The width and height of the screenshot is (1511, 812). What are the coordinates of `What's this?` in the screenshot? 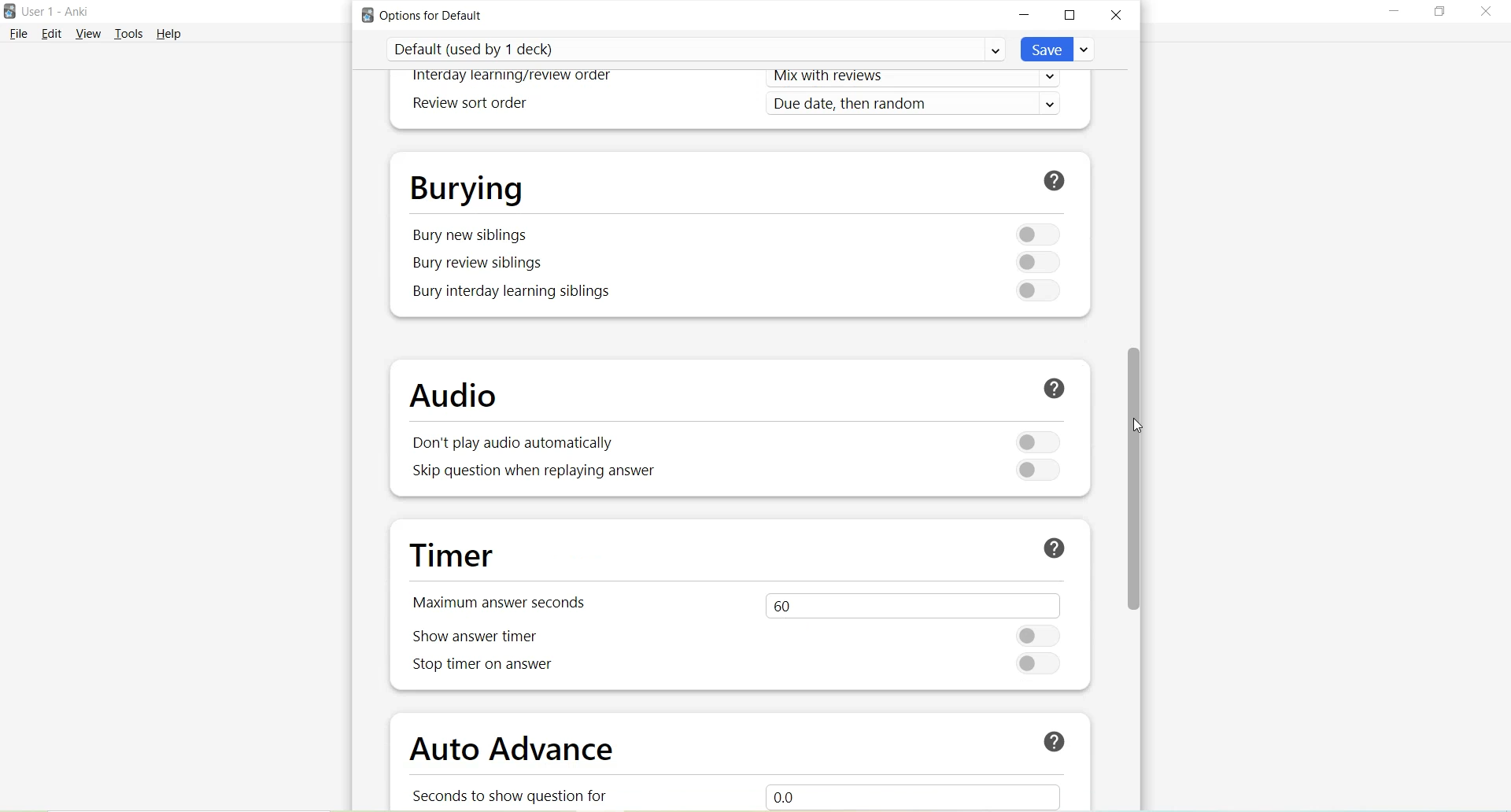 It's located at (1054, 548).